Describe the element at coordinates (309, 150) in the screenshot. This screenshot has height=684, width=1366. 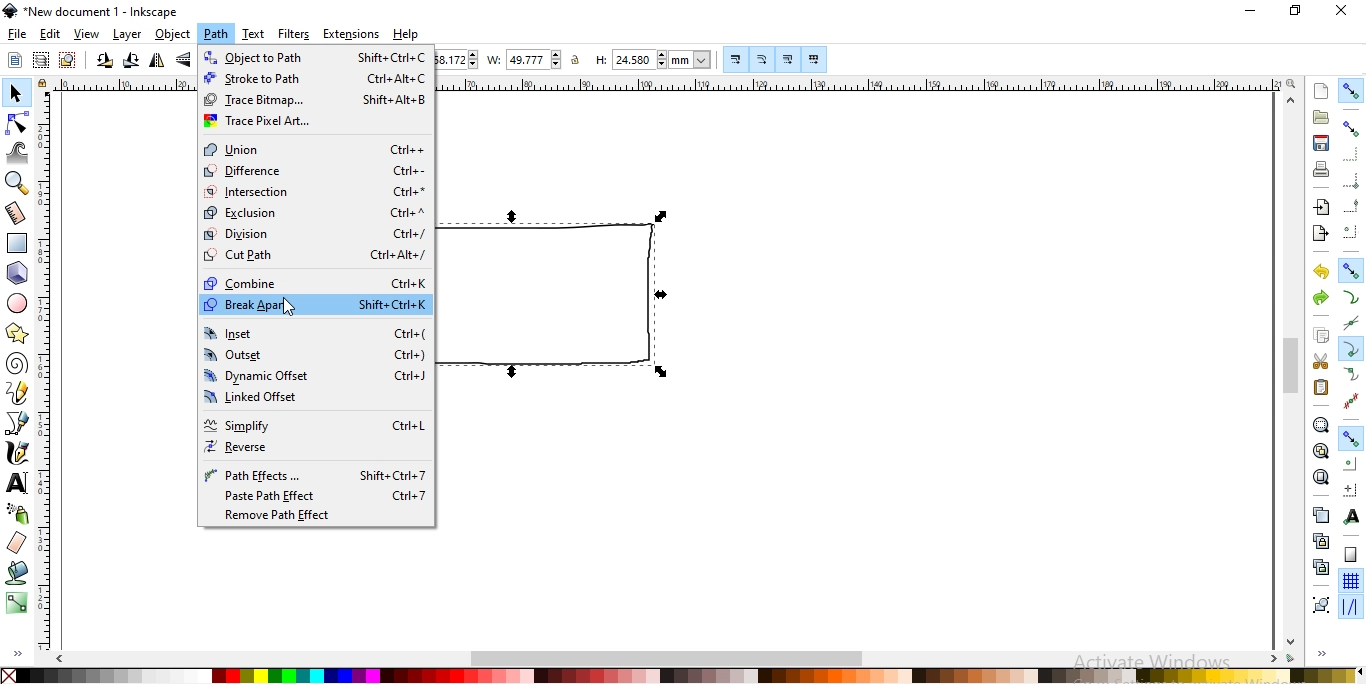
I see `union` at that location.